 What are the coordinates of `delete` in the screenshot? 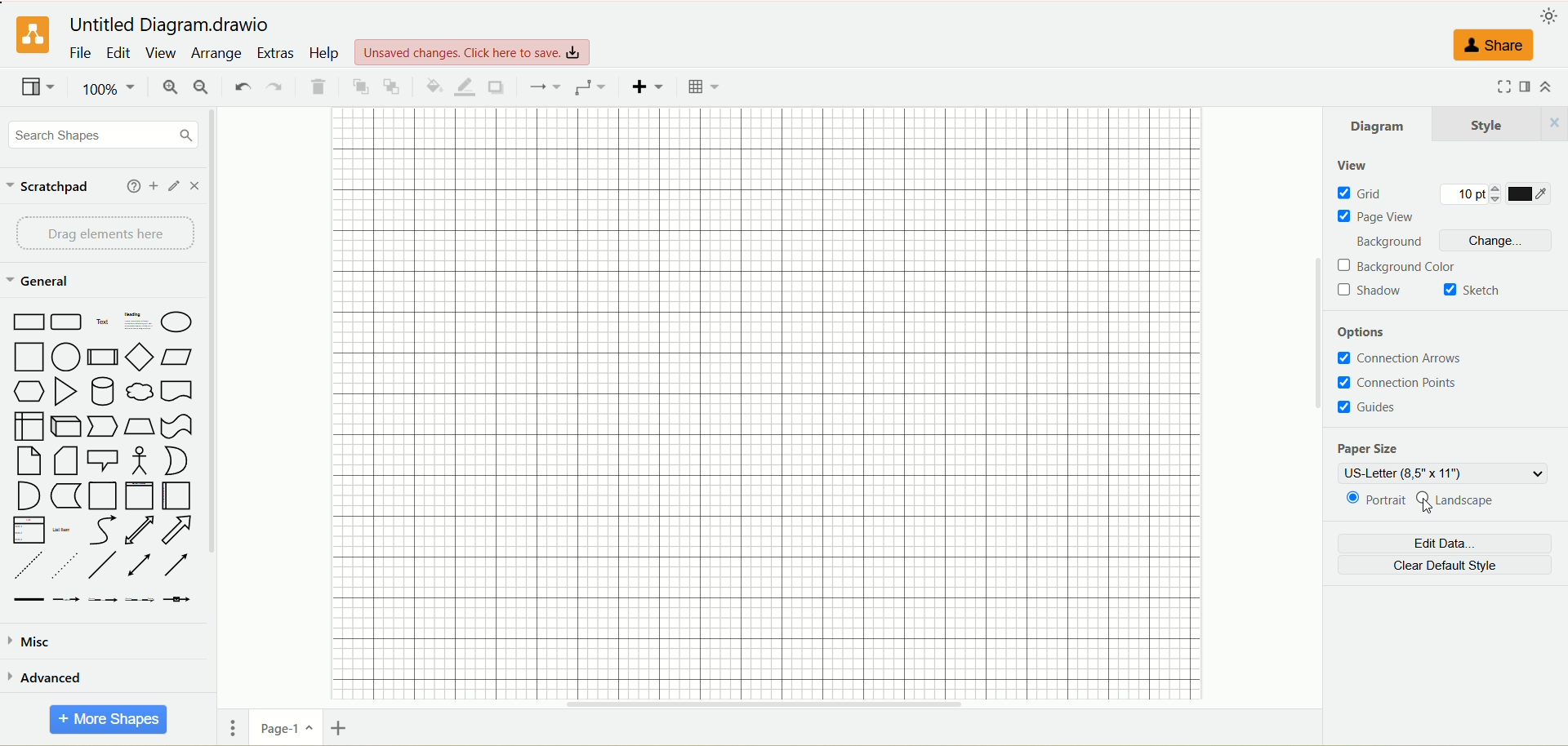 It's located at (318, 87).